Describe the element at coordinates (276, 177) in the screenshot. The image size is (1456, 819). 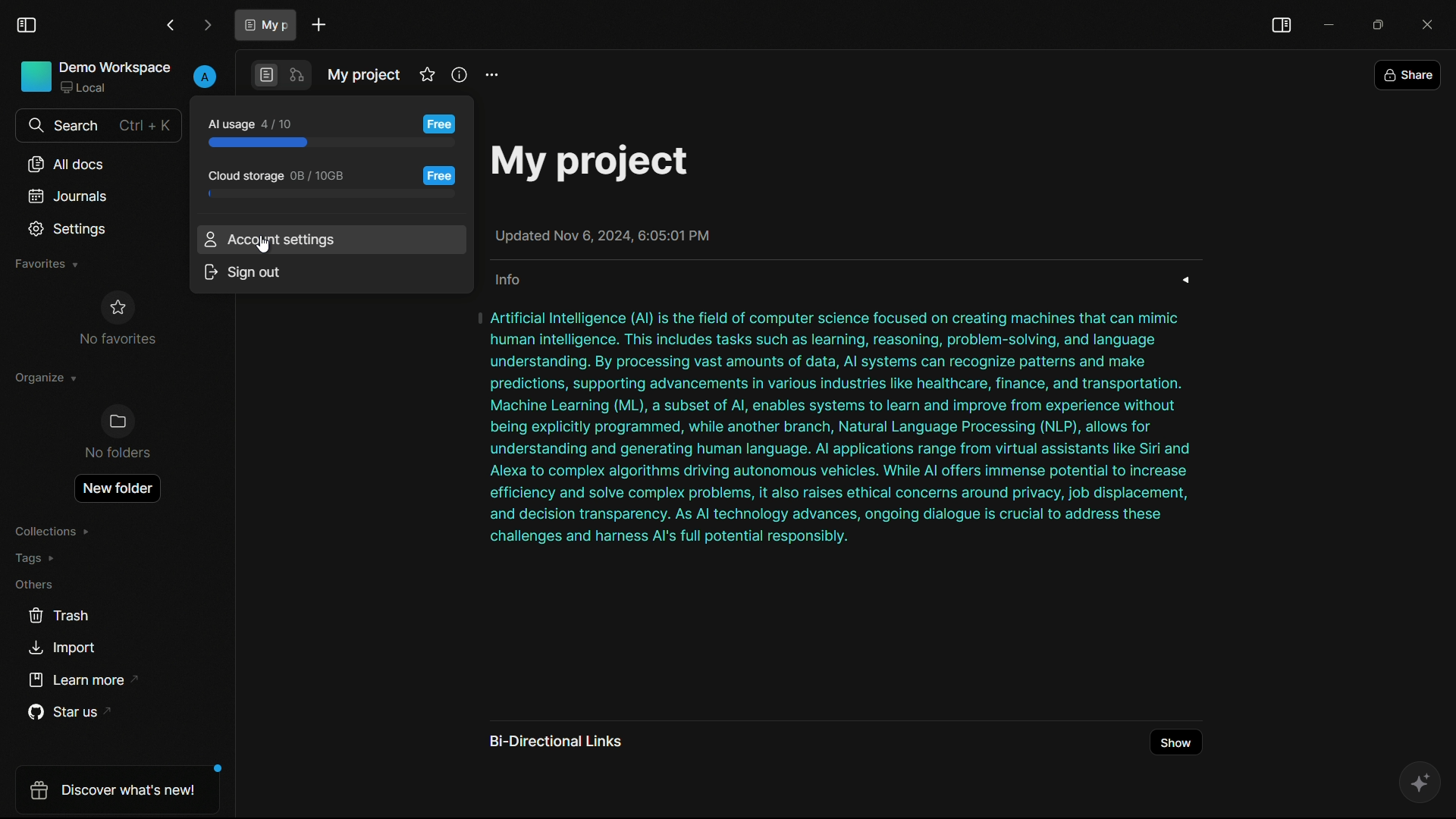
I see `cloud storage usage` at that location.